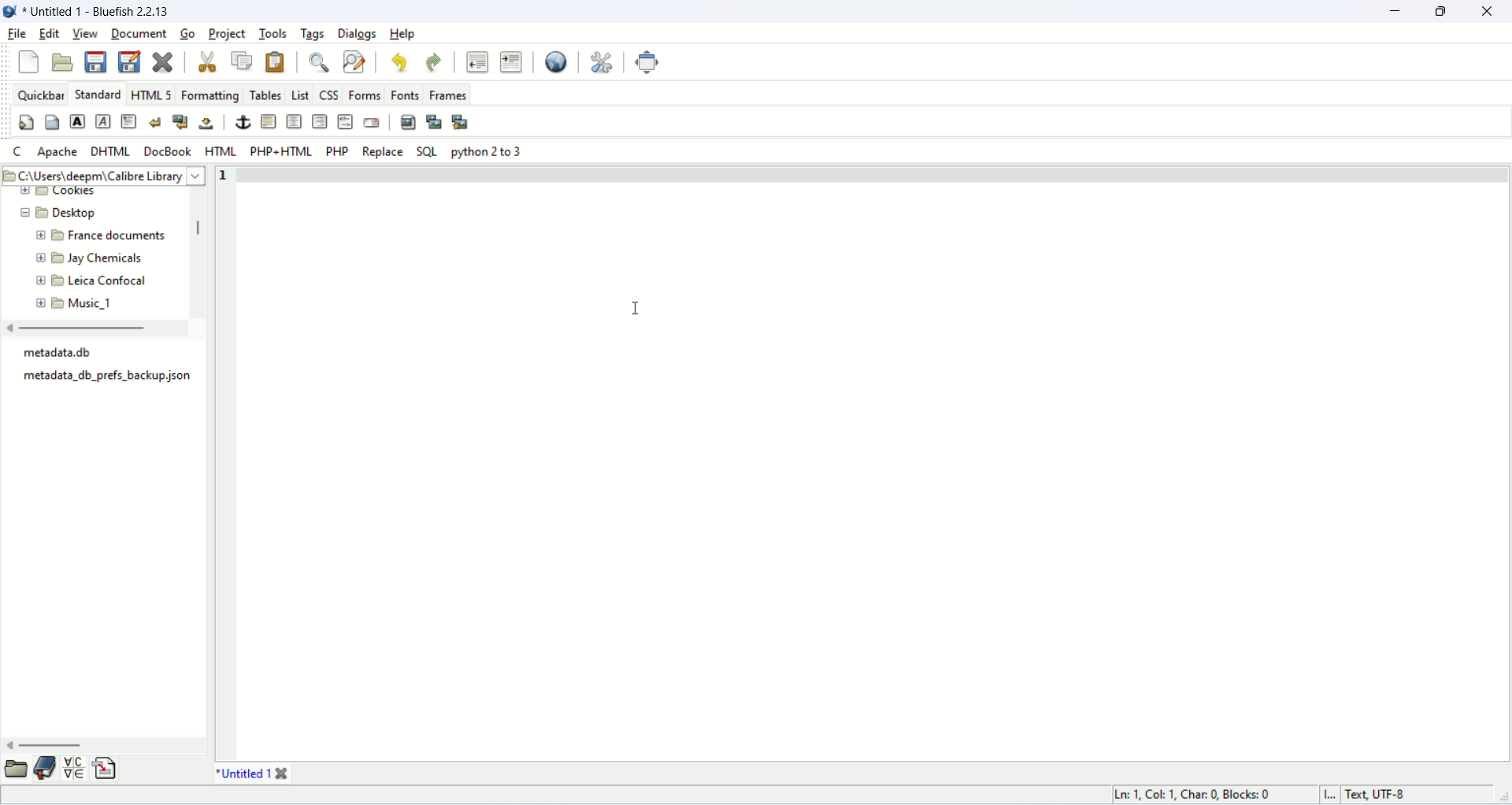 The height and width of the screenshot is (805, 1512). Describe the element at coordinates (336, 150) in the screenshot. I see `PHP` at that location.